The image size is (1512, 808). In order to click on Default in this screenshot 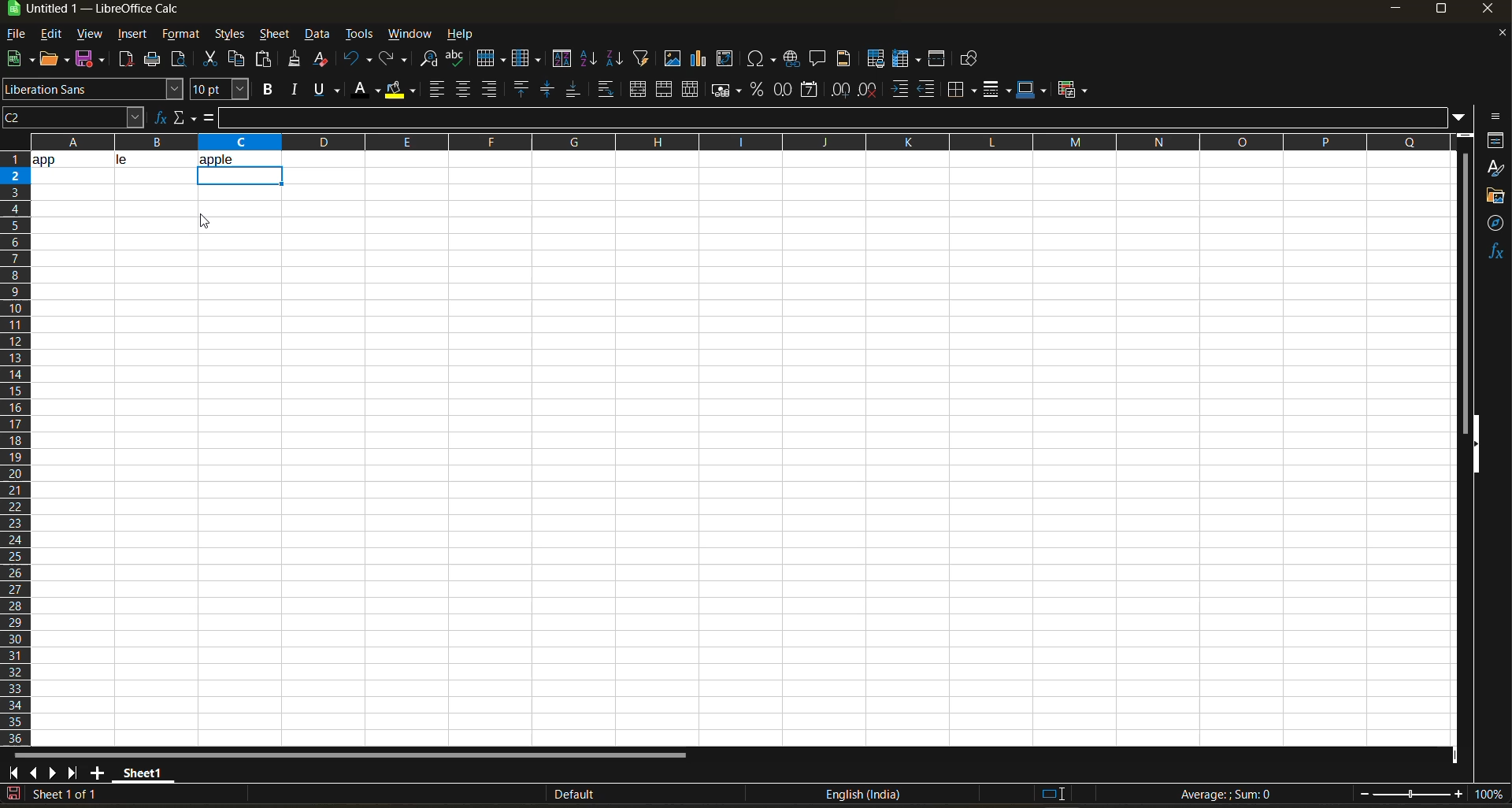, I will do `click(561, 795)`.